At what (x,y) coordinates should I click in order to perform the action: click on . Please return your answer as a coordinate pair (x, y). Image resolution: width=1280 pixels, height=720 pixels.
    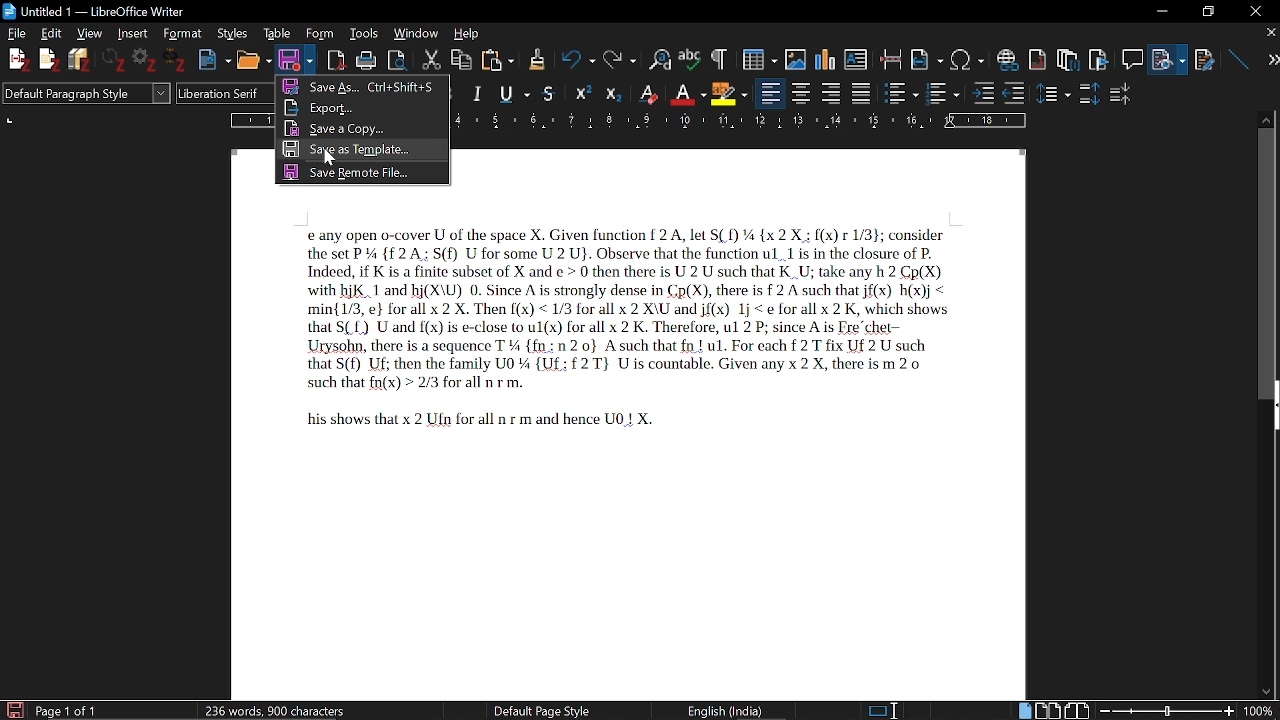
    Looking at the image, I should click on (116, 61).